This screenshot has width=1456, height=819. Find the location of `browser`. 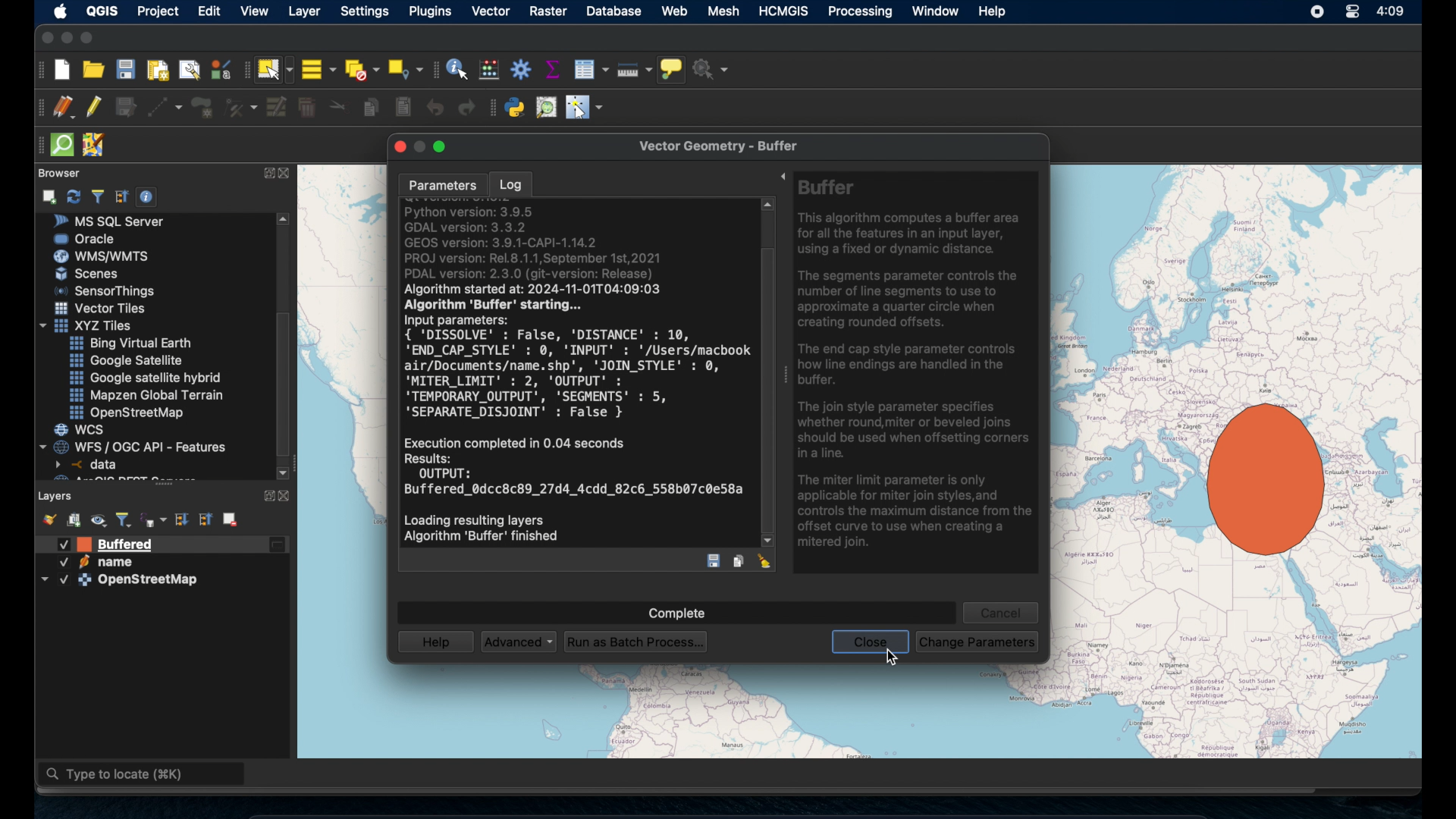

browser is located at coordinates (57, 171).